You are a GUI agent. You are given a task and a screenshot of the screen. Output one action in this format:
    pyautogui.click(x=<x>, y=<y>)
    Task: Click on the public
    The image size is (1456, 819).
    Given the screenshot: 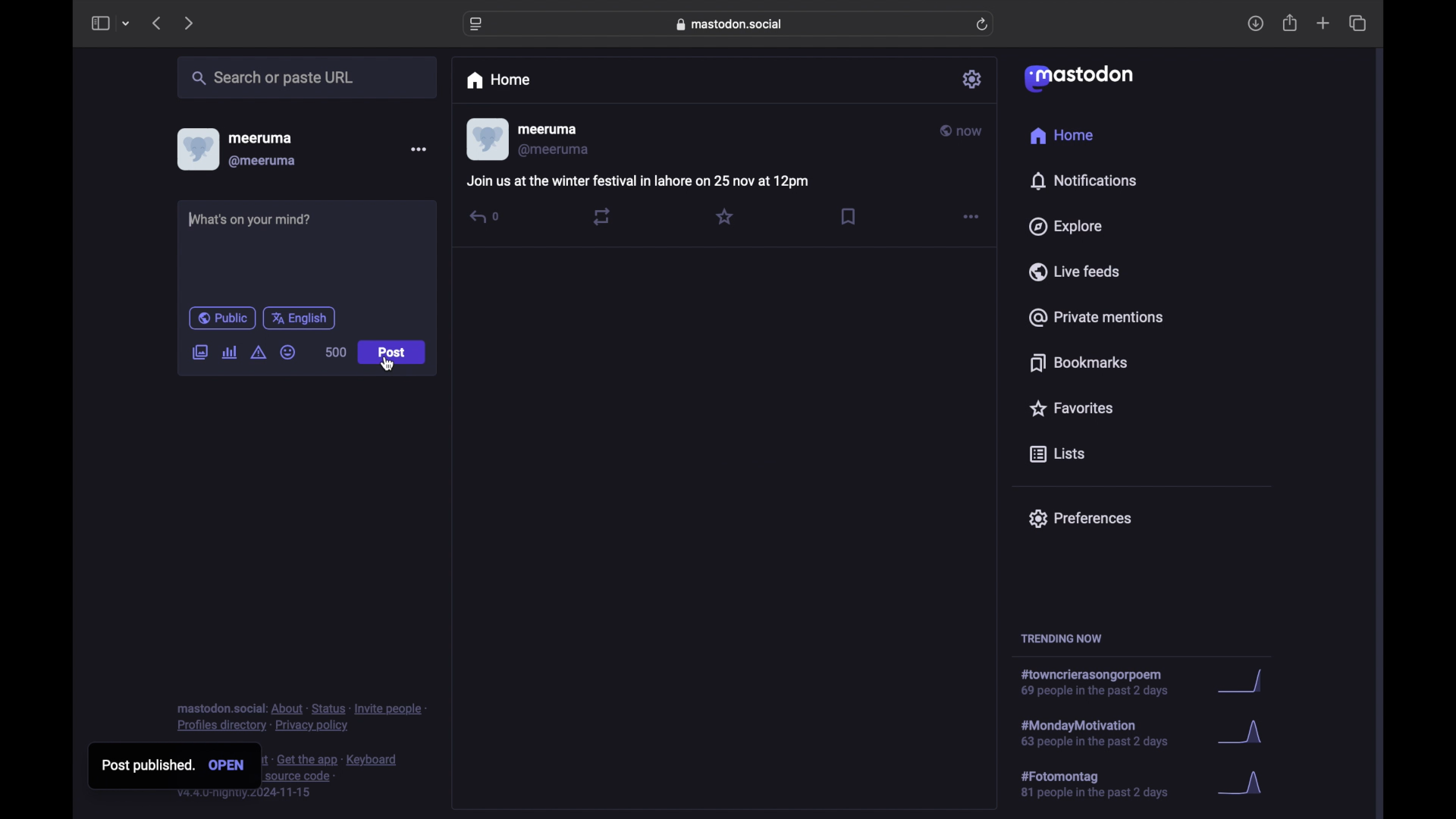 What is the action you would take?
    pyautogui.click(x=221, y=318)
    